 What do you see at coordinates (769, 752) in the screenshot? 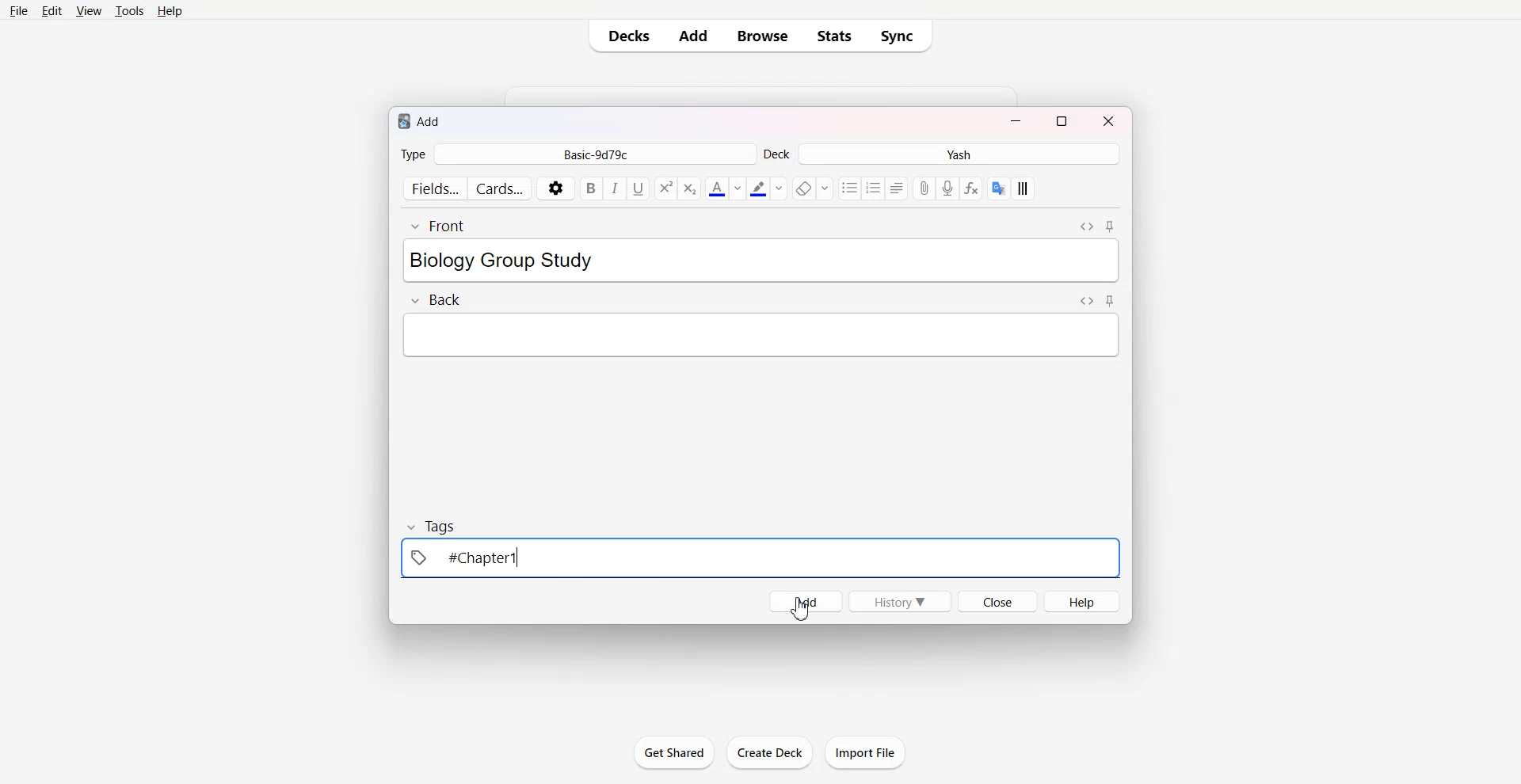
I see `Create Deck` at bounding box center [769, 752].